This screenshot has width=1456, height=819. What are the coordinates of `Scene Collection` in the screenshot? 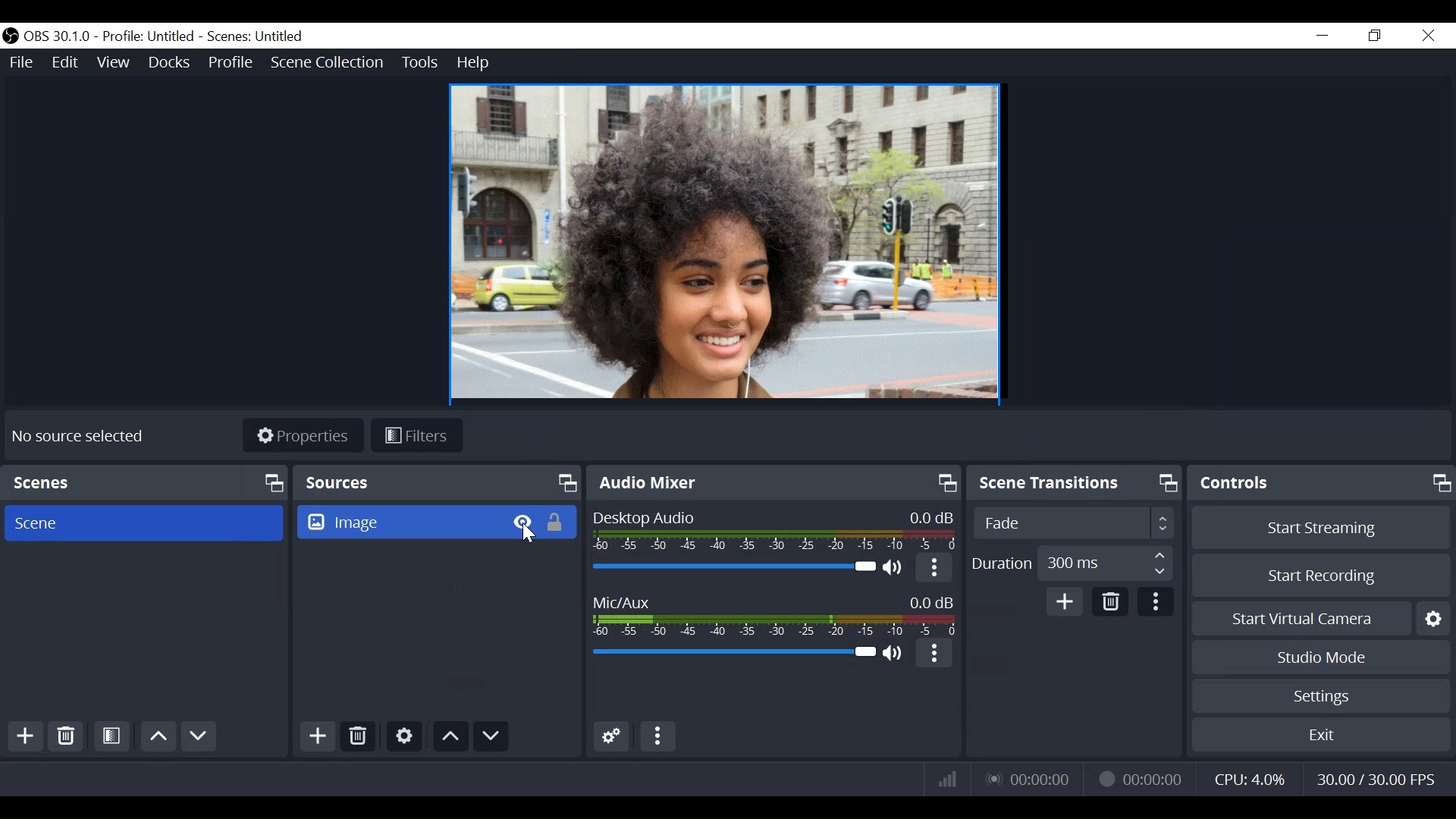 It's located at (330, 62).